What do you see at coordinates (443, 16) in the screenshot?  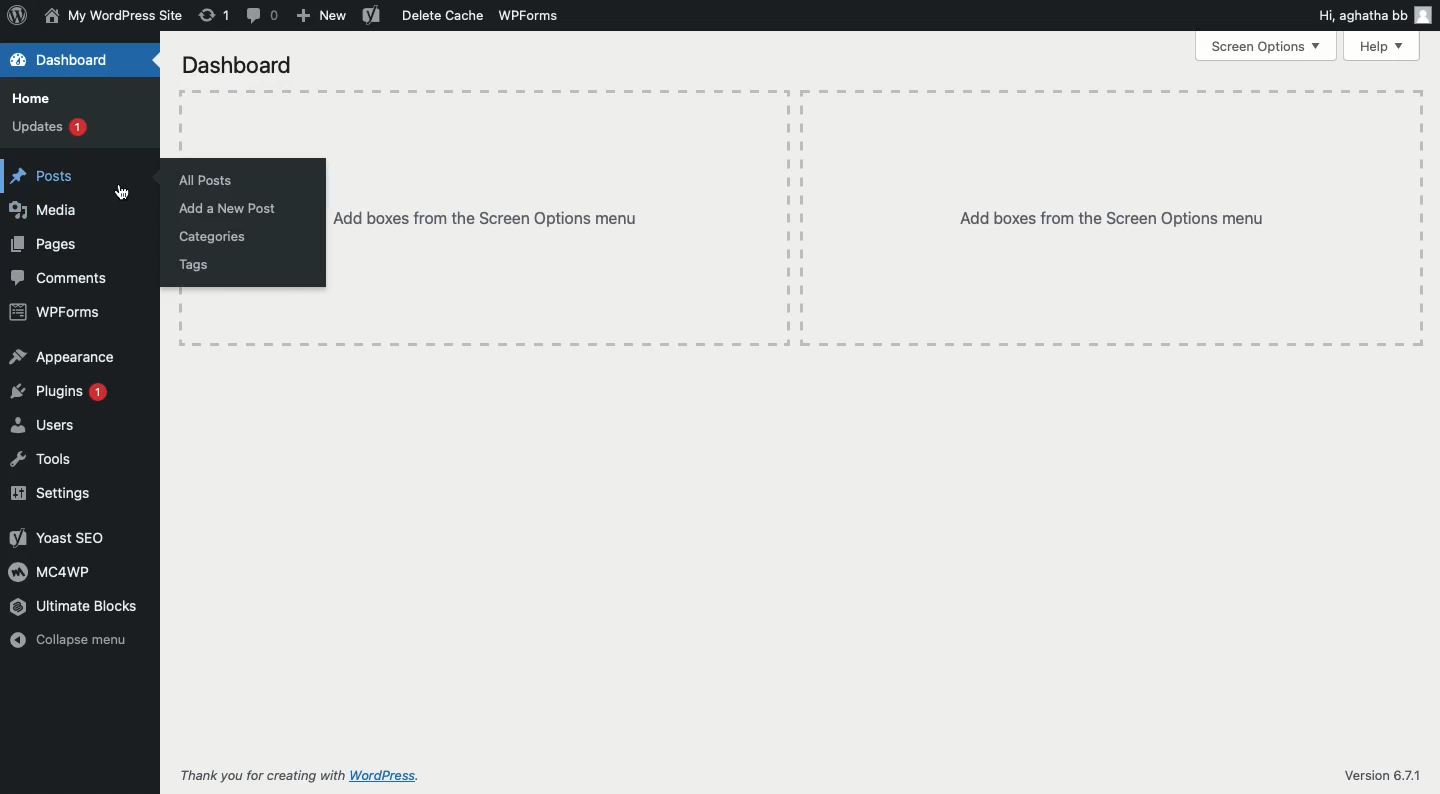 I see `Delete cache` at bounding box center [443, 16].